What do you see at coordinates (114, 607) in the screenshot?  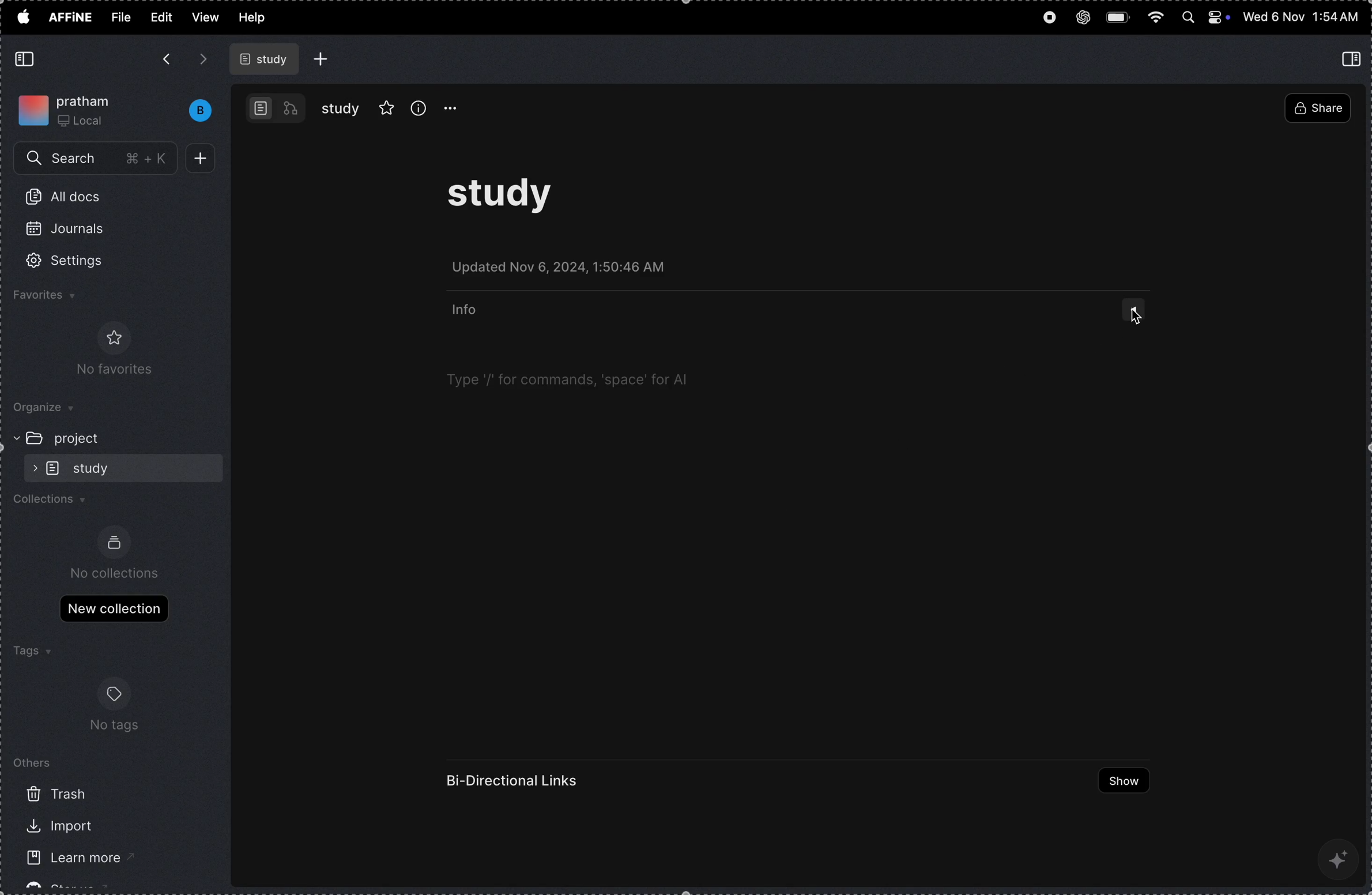 I see `new collections` at bounding box center [114, 607].